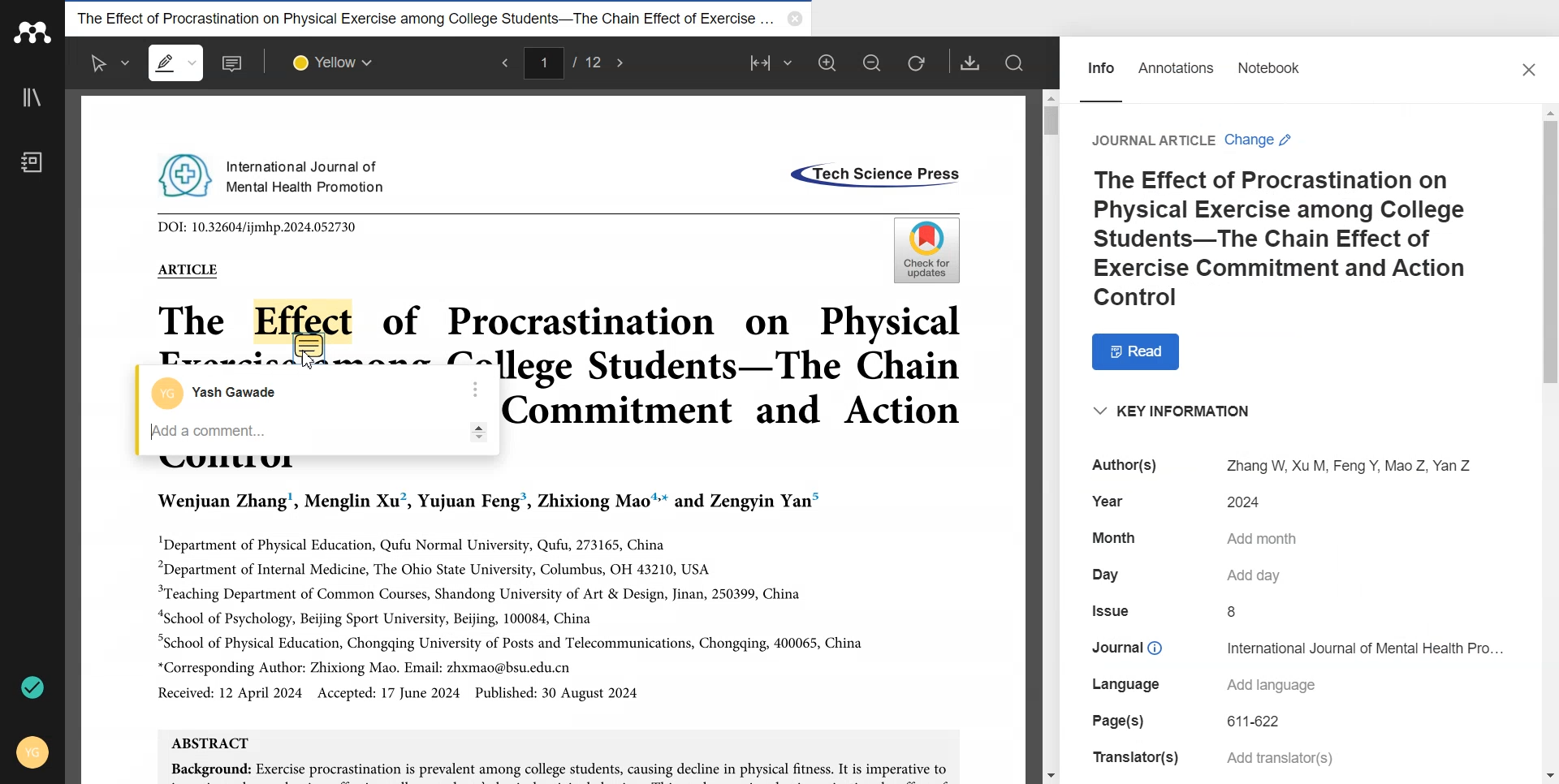  I want to click on Read, so click(1145, 351).